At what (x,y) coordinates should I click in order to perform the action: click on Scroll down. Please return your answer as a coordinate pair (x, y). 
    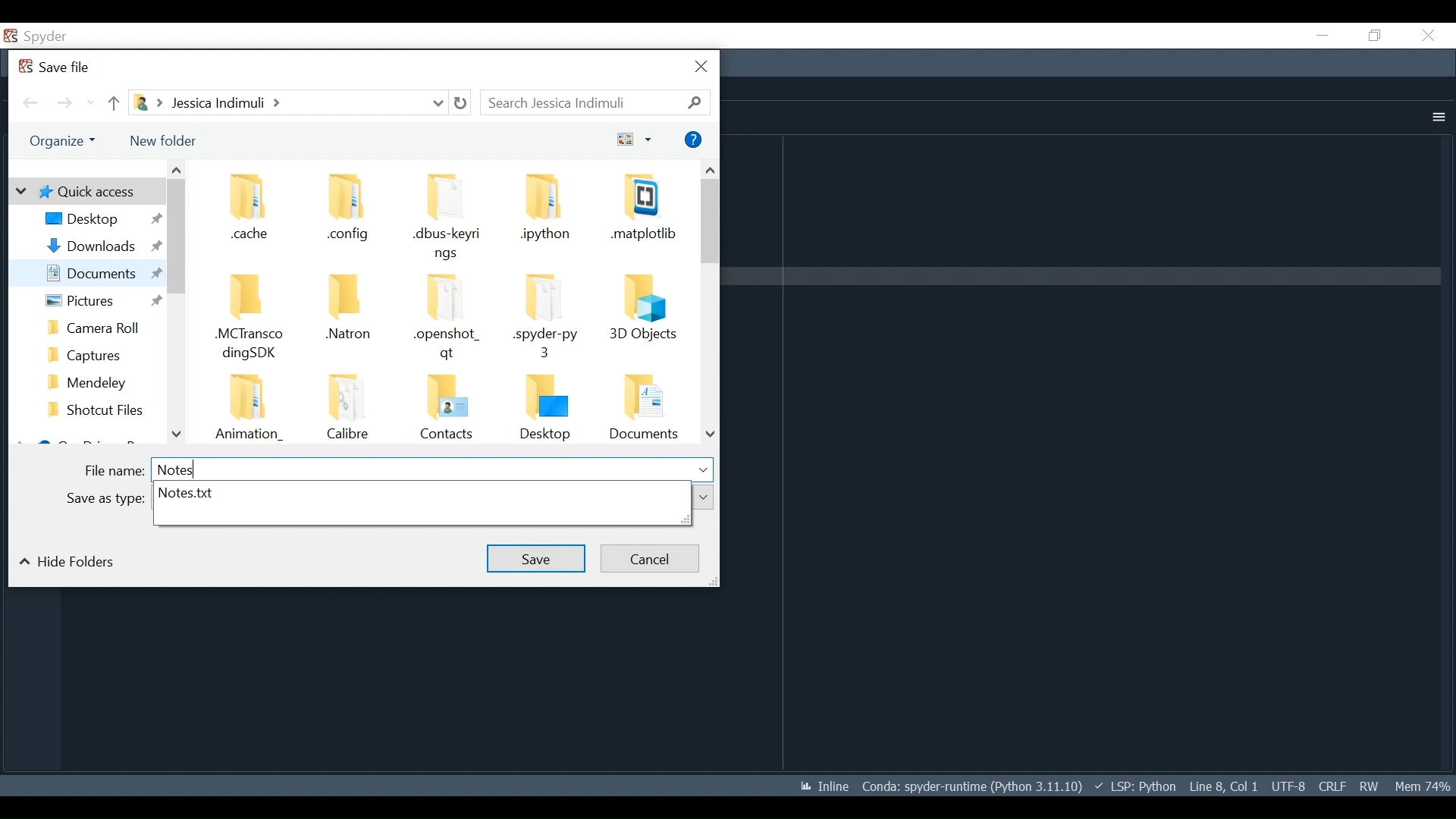
    Looking at the image, I should click on (176, 435).